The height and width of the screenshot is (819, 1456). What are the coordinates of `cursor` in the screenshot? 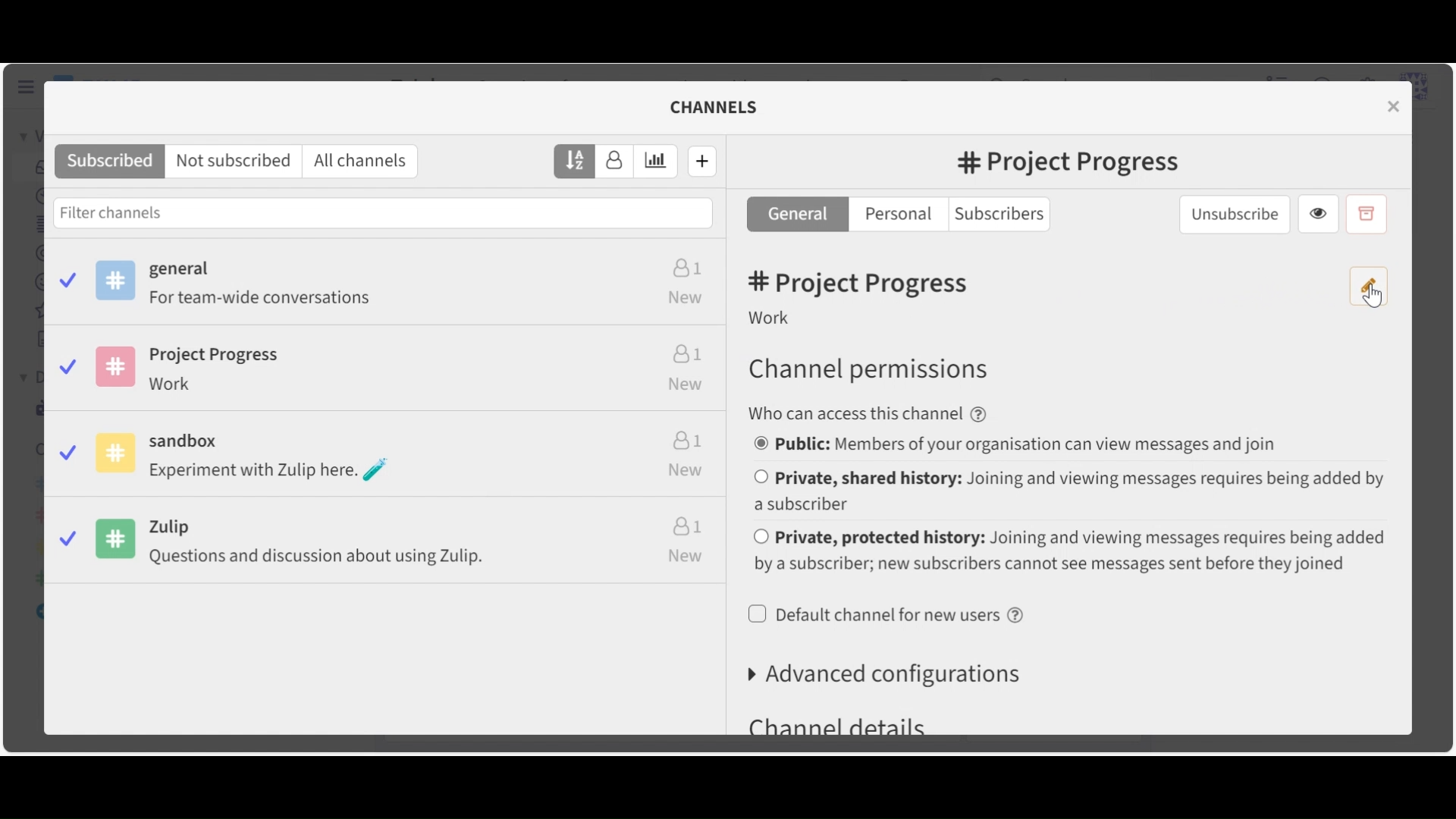 It's located at (1377, 296).